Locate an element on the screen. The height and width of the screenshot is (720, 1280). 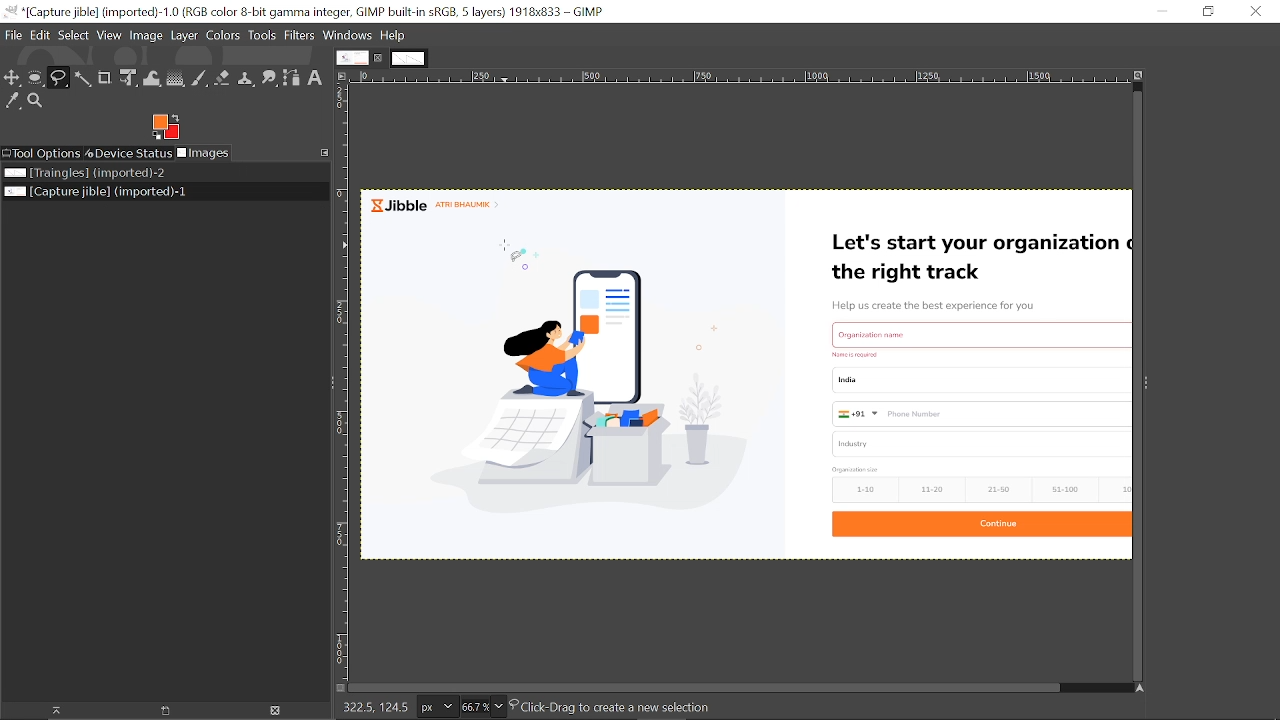
Restore down is located at coordinates (1207, 11).